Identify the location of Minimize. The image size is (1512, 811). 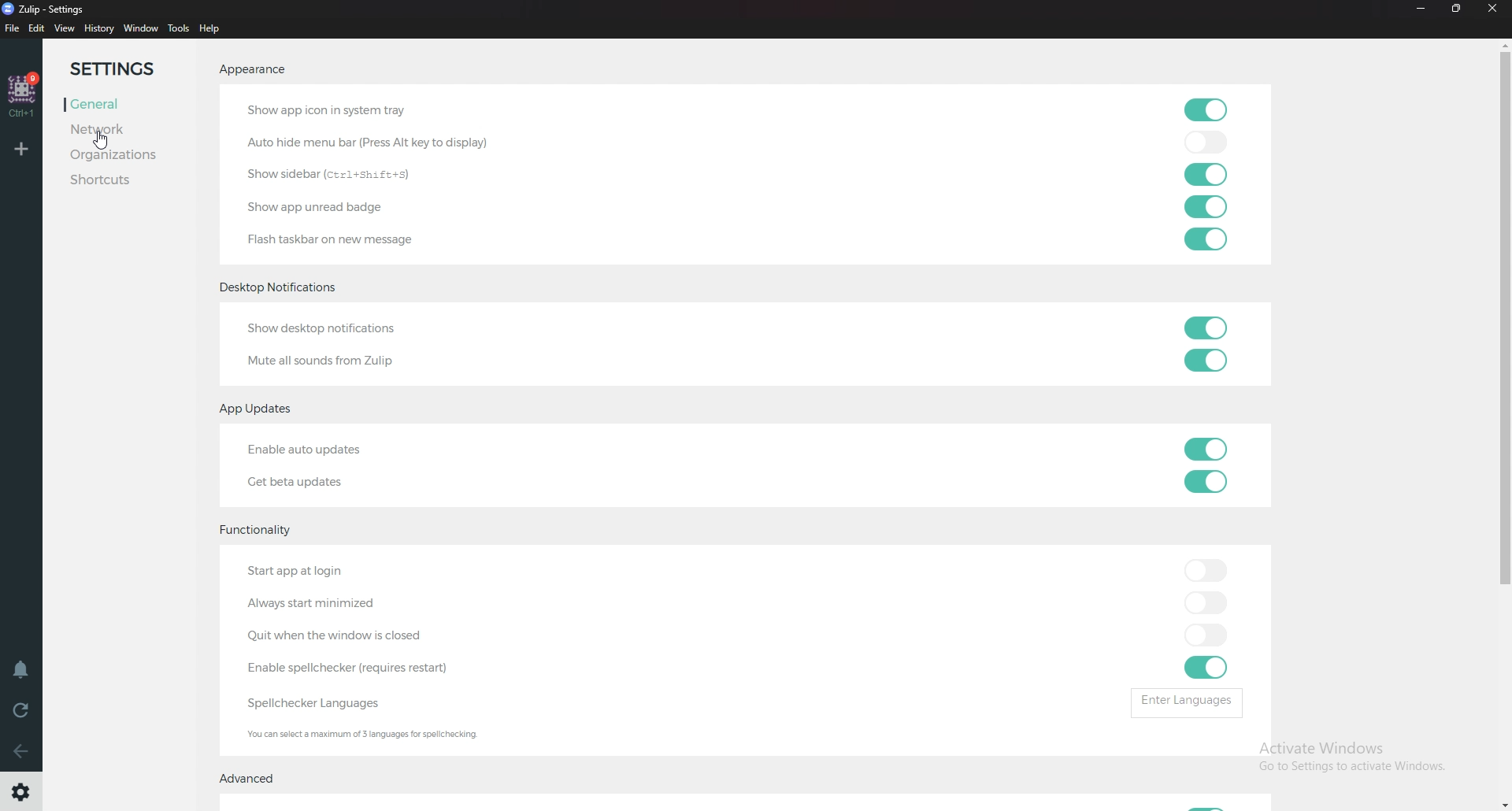
(1421, 9).